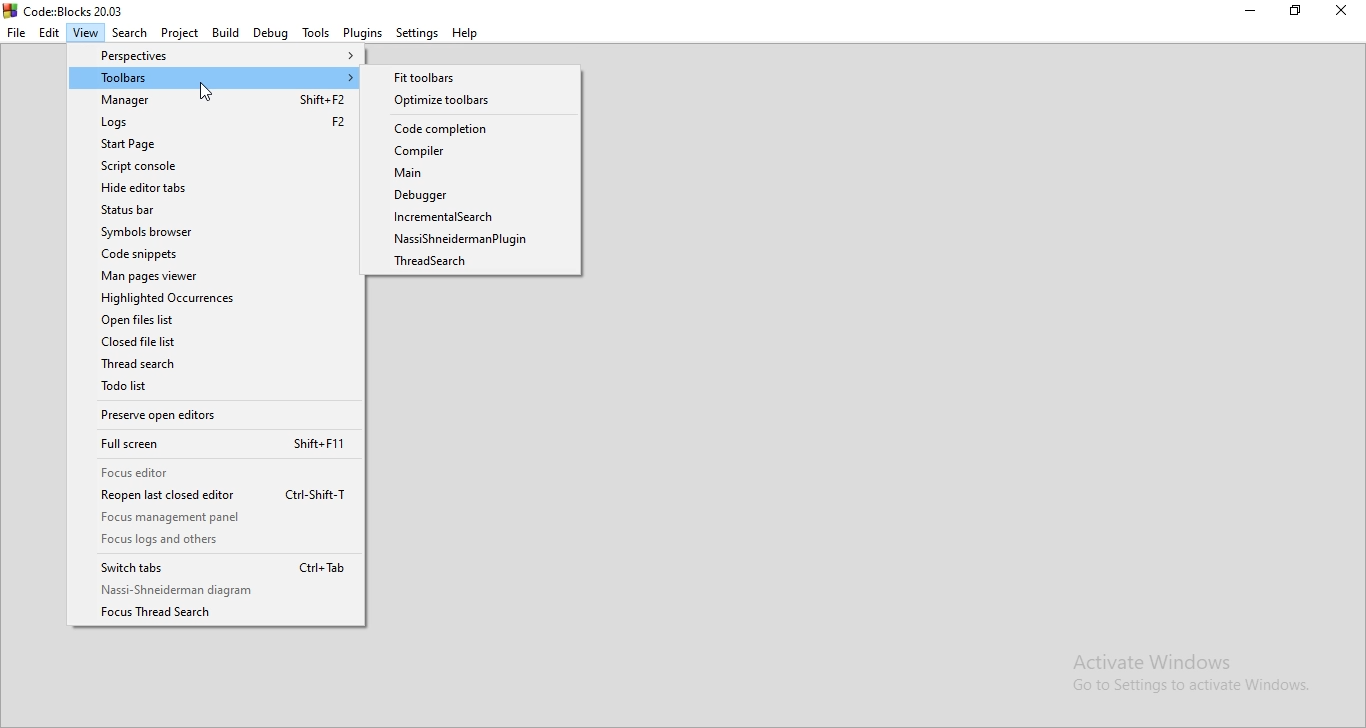 The height and width of the screenshot is (728, 1366). I want to click on Search , so click(131, 31).